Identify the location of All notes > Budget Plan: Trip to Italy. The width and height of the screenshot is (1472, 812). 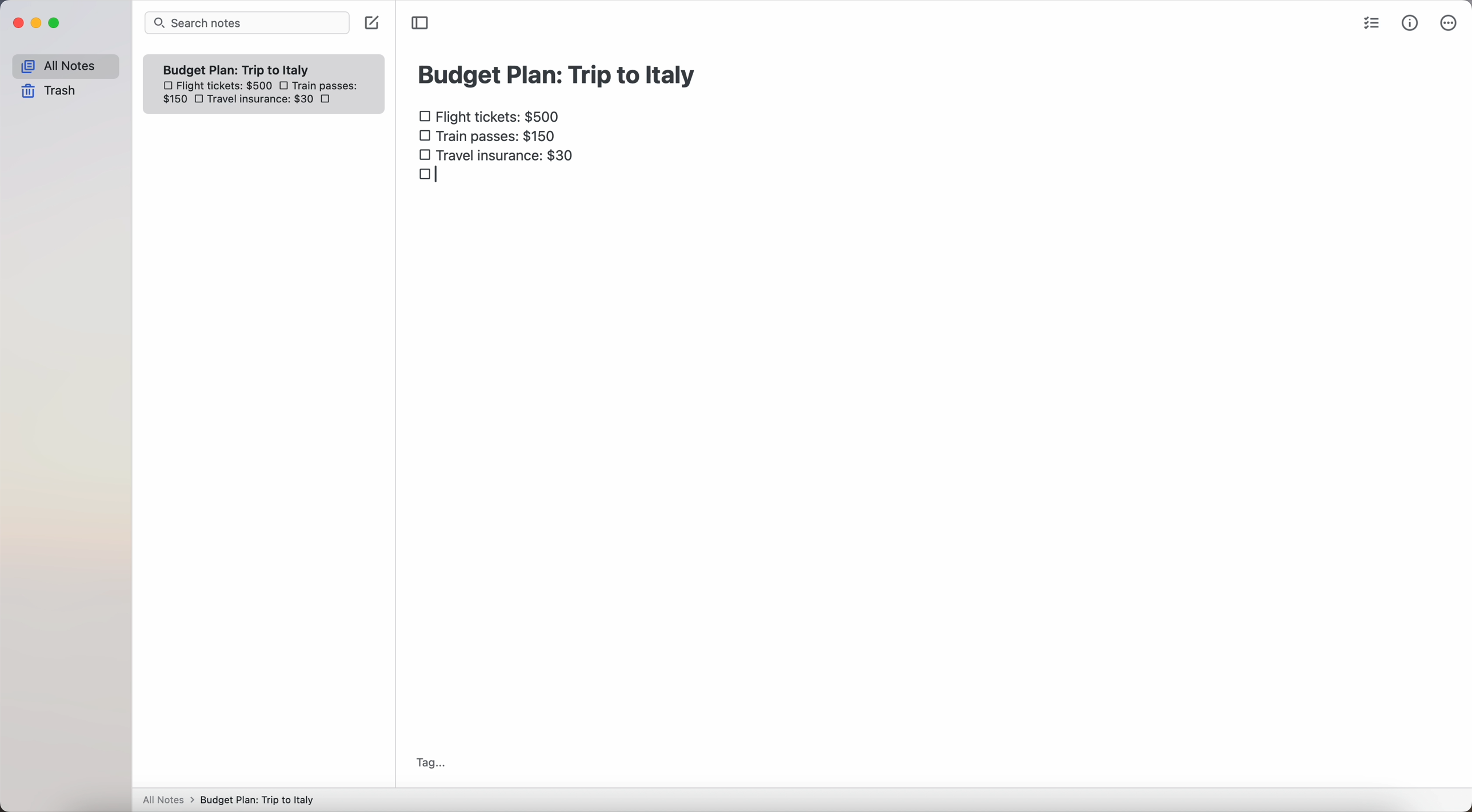
(234, 799).